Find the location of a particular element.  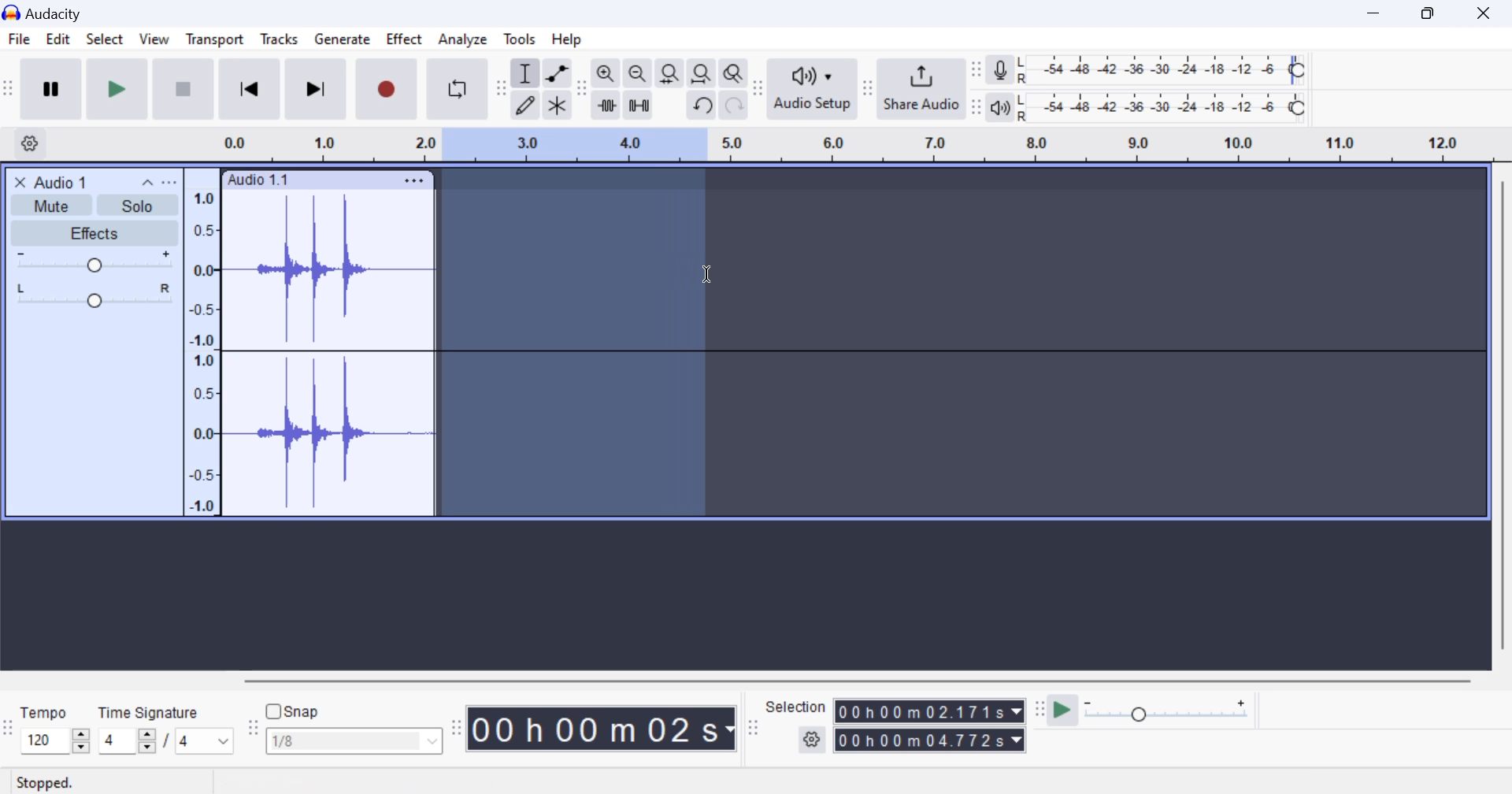

Skip To End is located at coordinates (313, 92).